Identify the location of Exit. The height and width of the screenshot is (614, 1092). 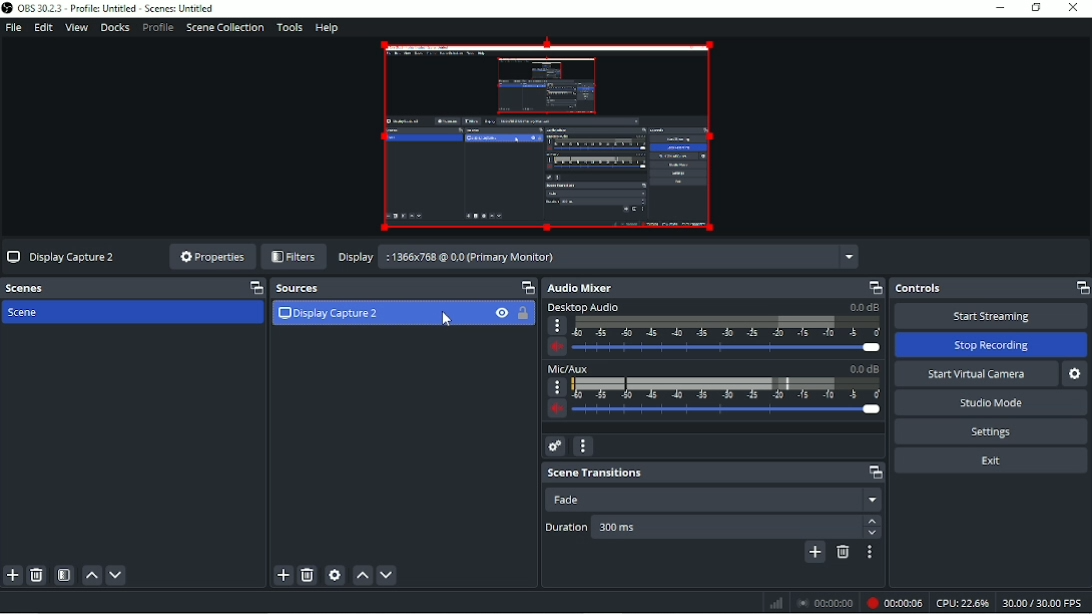
(990, 460).